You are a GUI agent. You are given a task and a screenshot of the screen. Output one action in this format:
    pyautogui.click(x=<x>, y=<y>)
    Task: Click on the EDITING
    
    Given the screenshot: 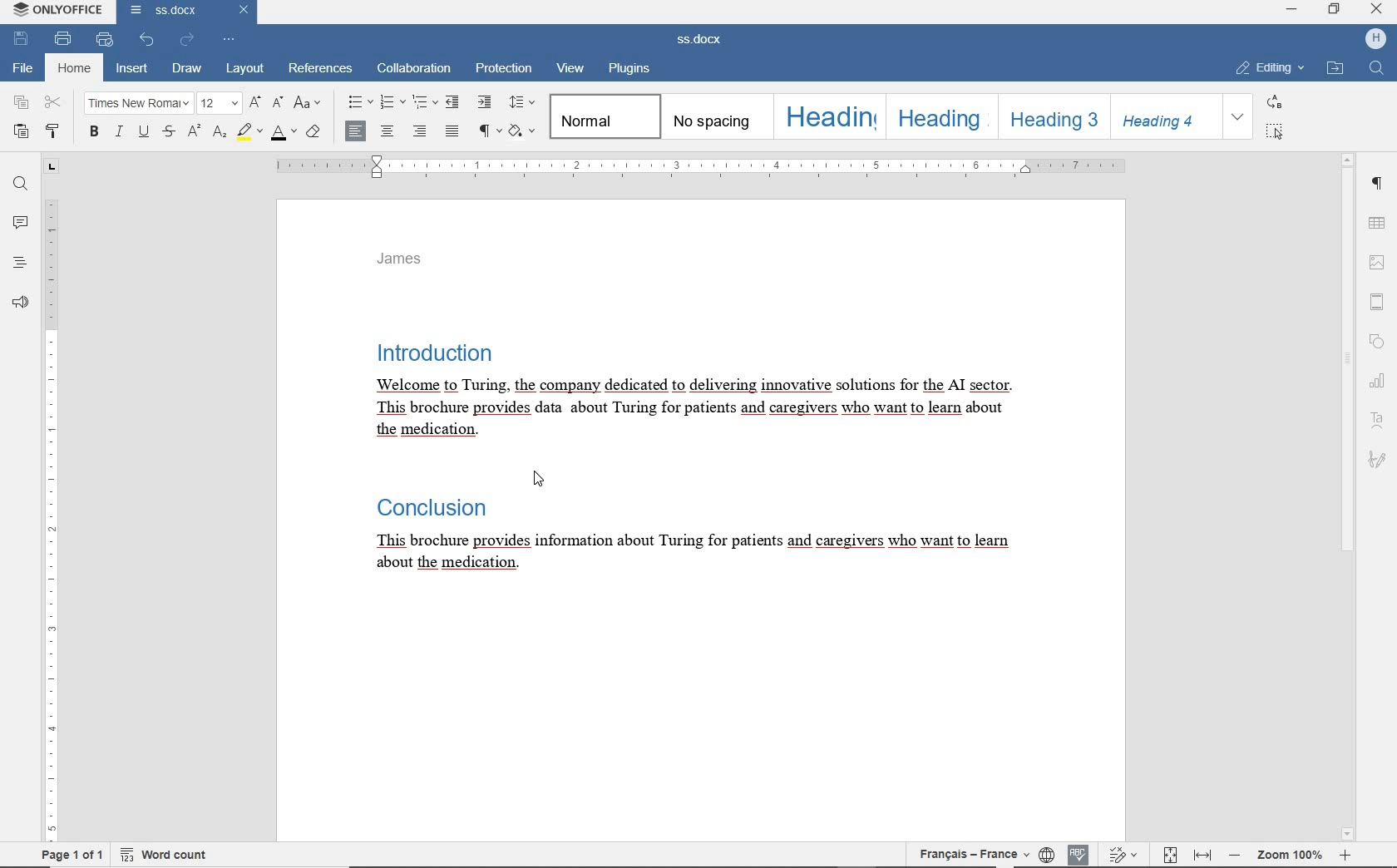 What is the action you would take?
    pyautogui.click(x=1268, y=66)
    